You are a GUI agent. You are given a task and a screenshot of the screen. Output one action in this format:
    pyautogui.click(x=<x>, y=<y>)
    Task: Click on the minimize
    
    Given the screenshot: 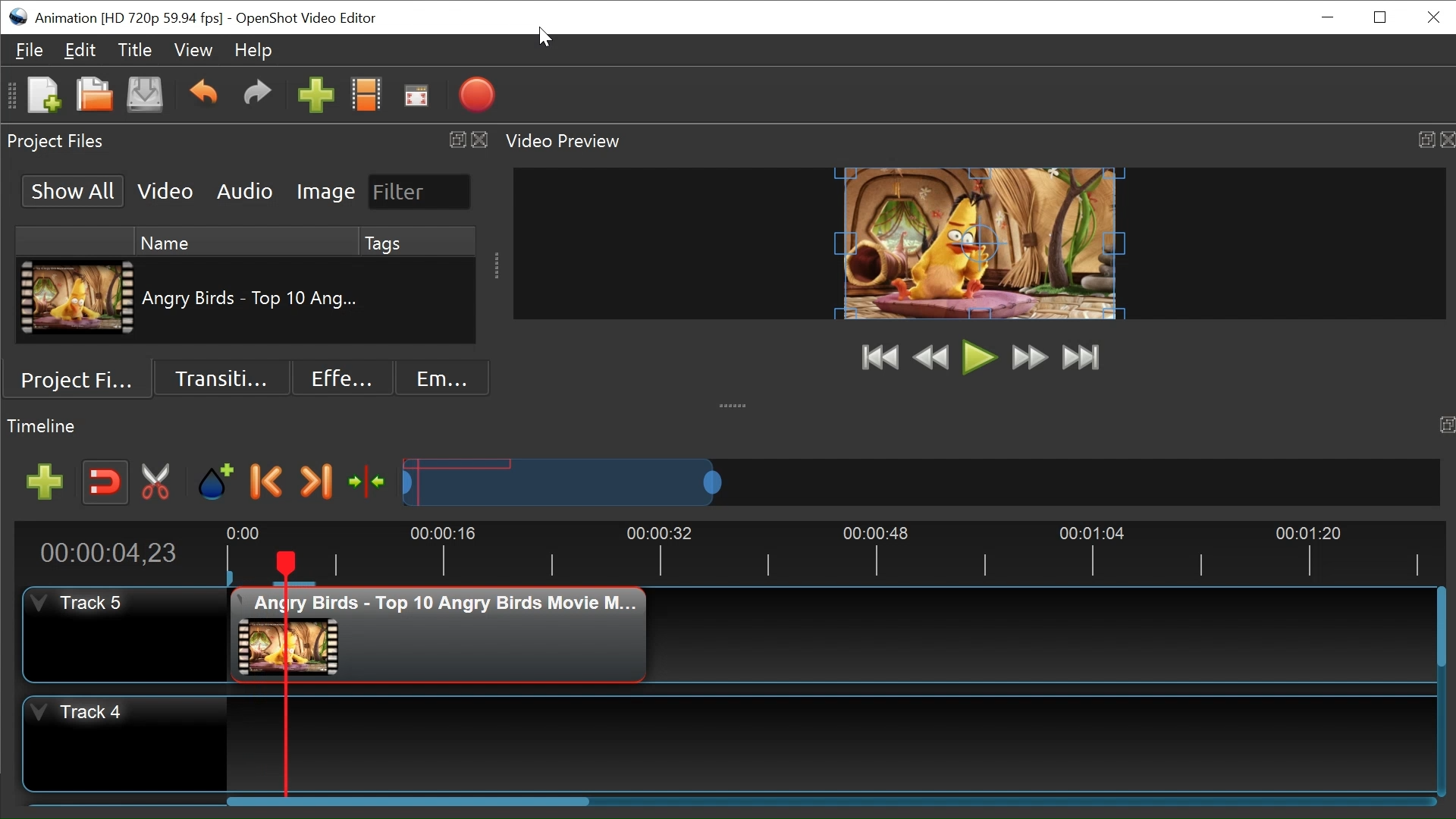 What is the action you would take?
    pyautogui.click(x=1326, y=17)
    